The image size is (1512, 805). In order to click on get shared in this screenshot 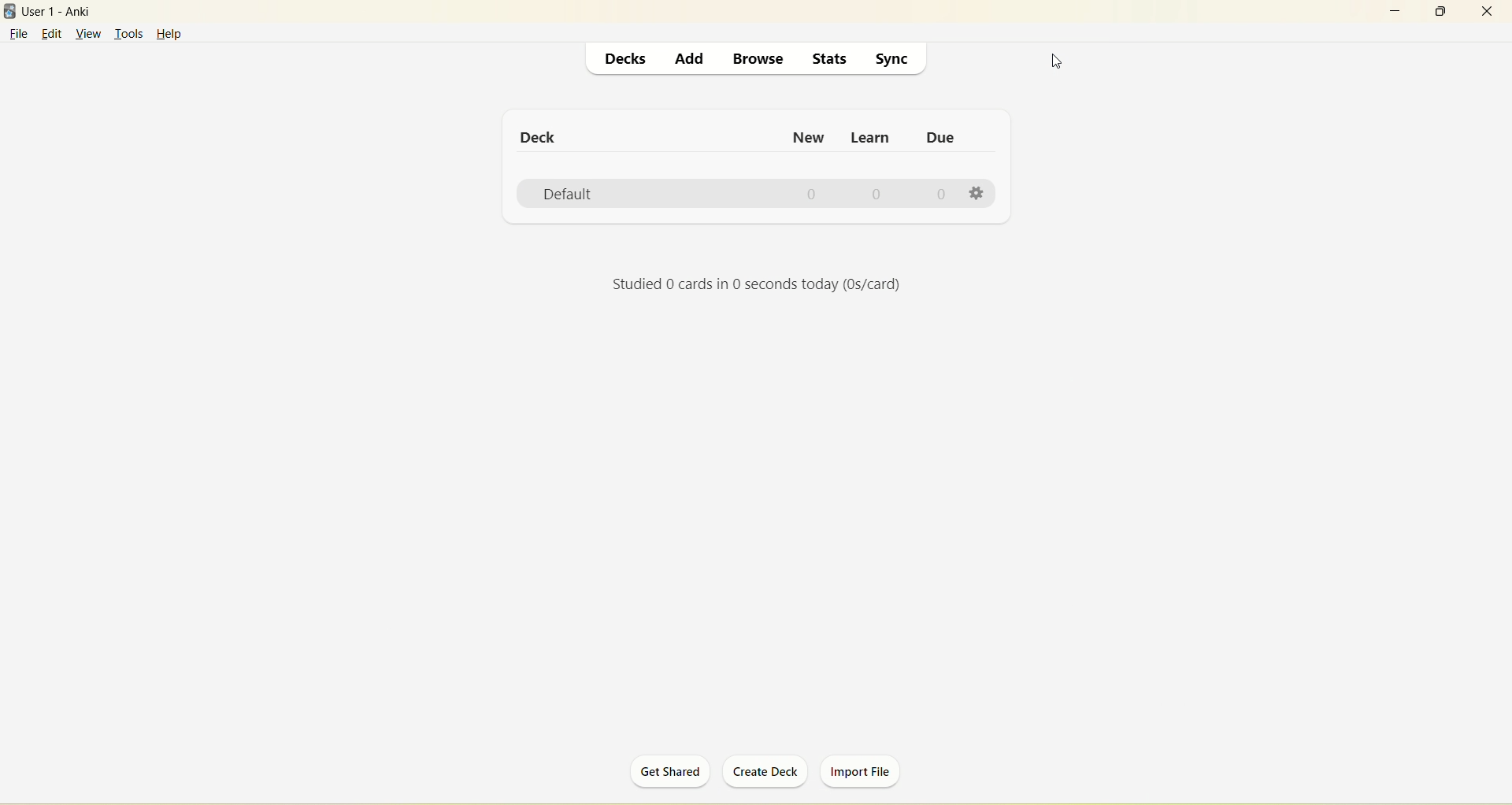, I will do `click(665, 774)`.